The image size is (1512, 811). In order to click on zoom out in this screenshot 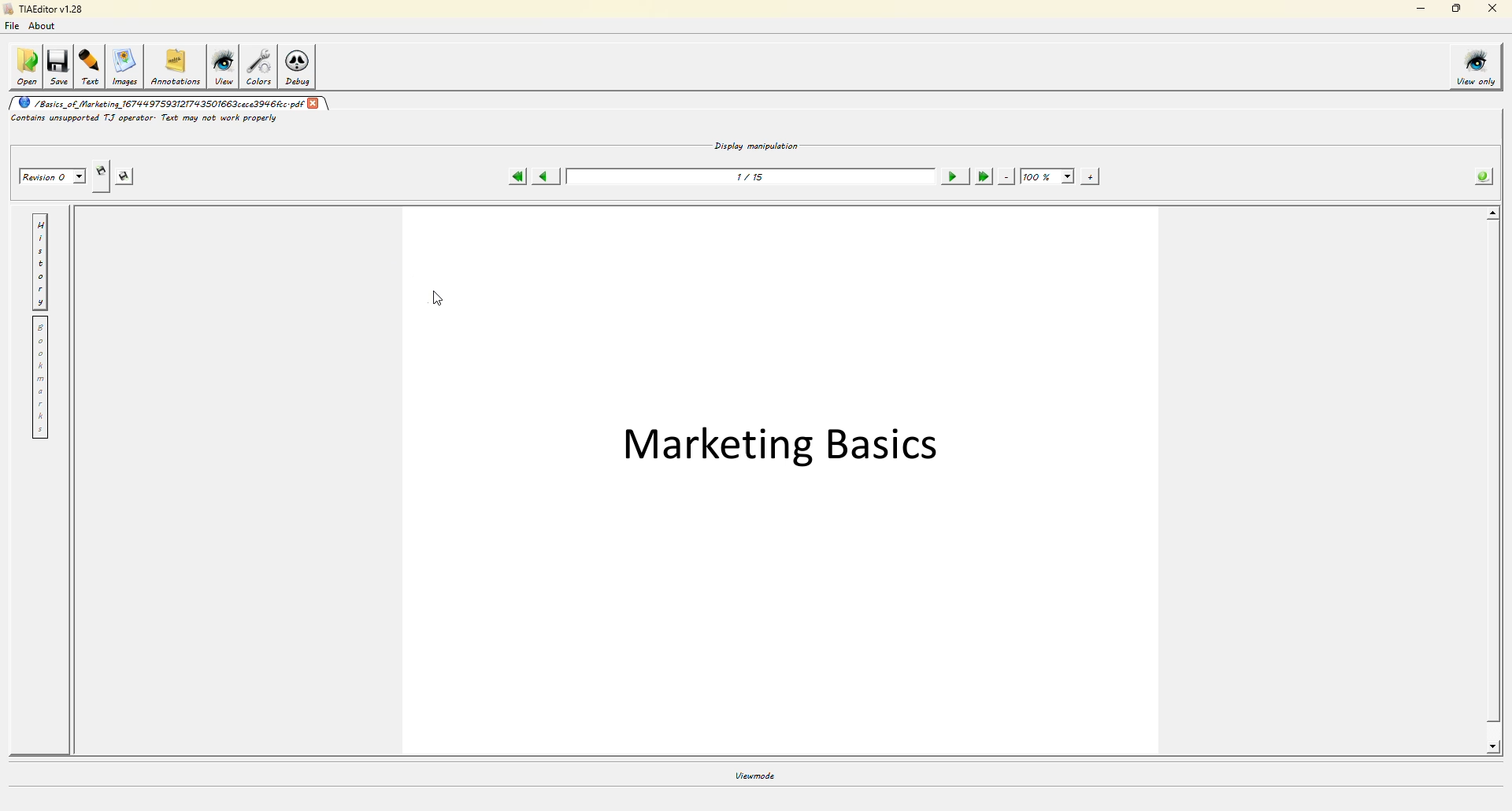, I will do `click(1010, 176)`.